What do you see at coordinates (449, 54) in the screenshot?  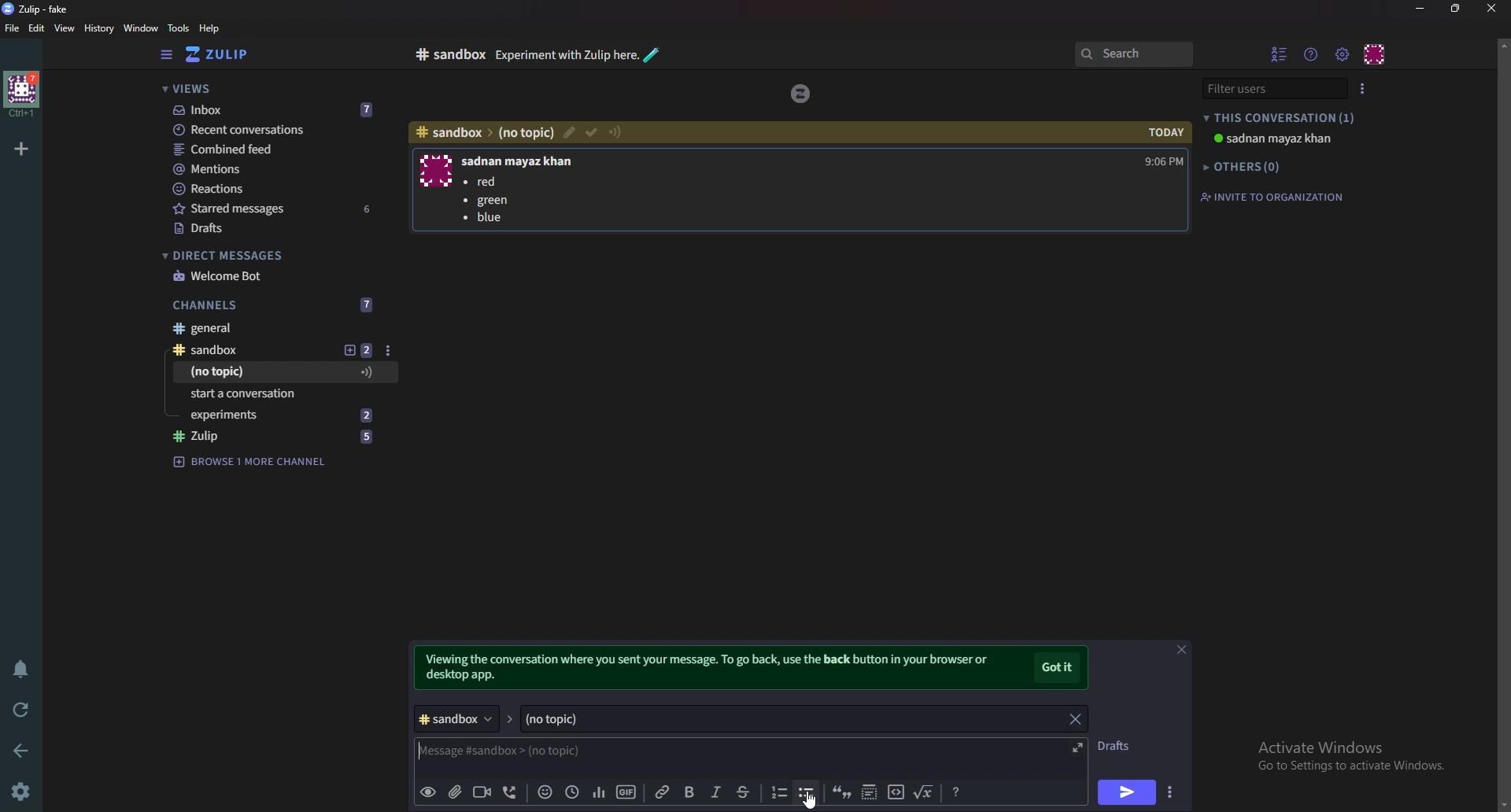 I see `sandbox` at bounding box center [449, 54].